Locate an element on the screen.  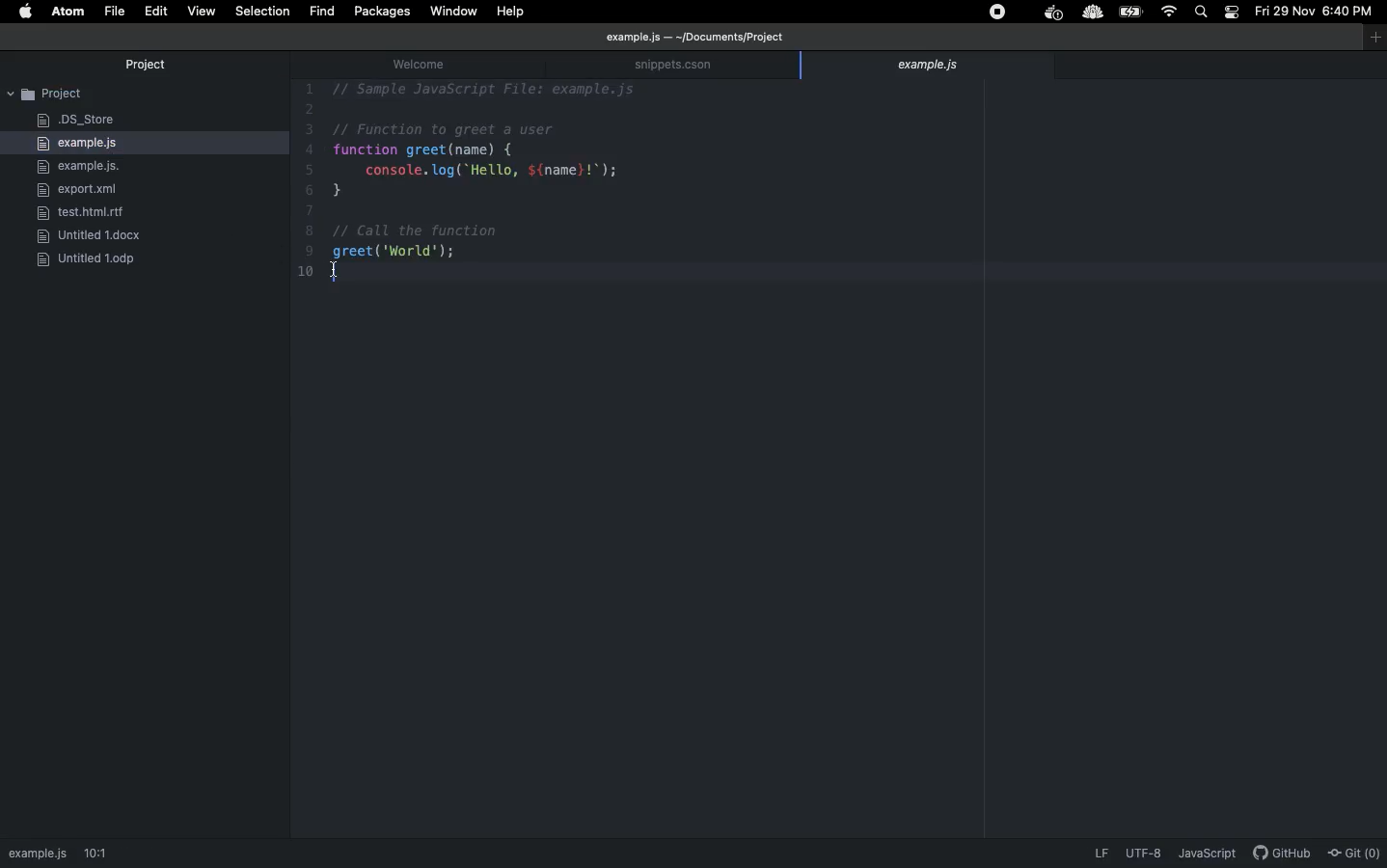
Internet is located at coordinates (1169, 12).